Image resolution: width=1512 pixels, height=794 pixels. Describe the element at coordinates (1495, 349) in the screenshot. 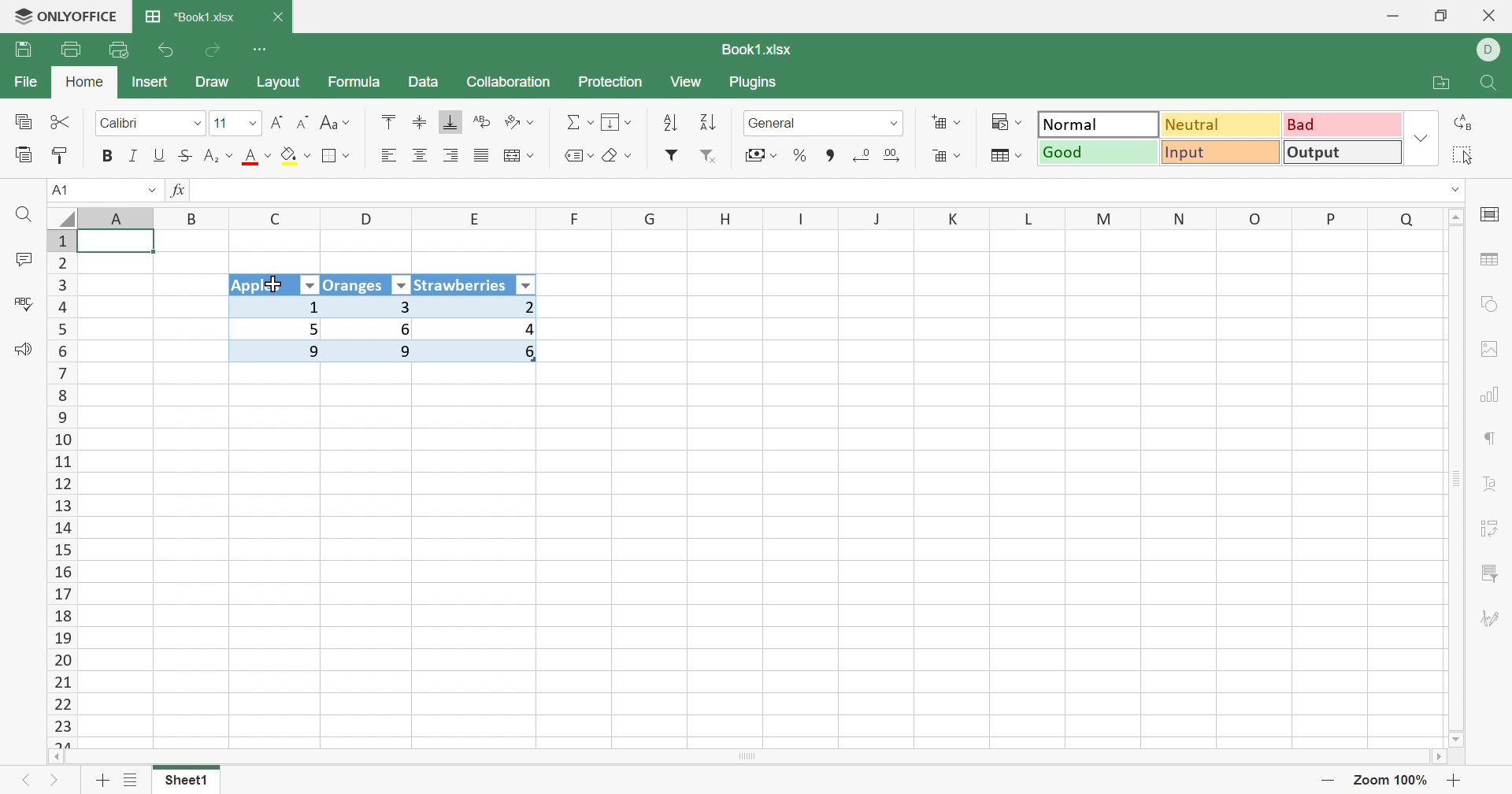

I see `Image settings` at that location.